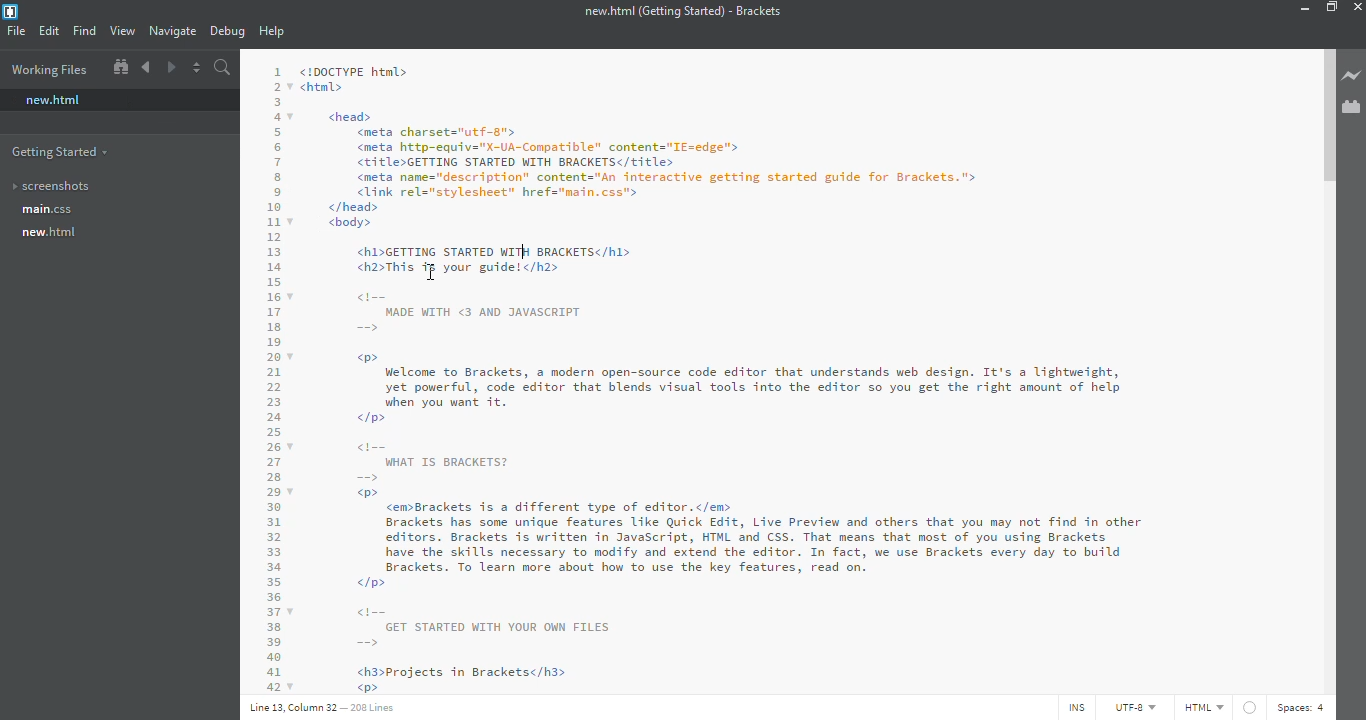 This screenshot has width=1366, height=720. Describe the element at coordinates (227, 31) in the screenshot. I see `debug` at that location.